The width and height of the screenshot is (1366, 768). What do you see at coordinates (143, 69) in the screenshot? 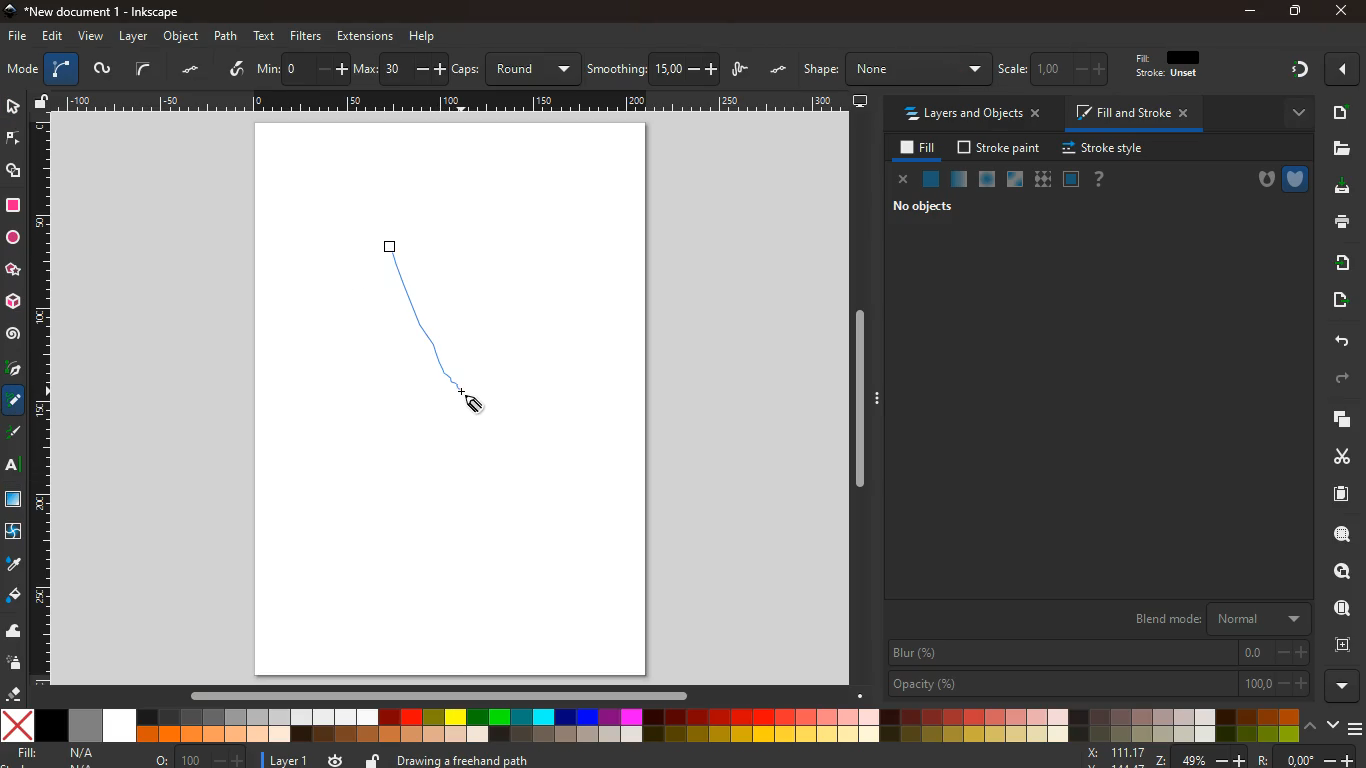
I see `curve` at bounding box center [143, 69].